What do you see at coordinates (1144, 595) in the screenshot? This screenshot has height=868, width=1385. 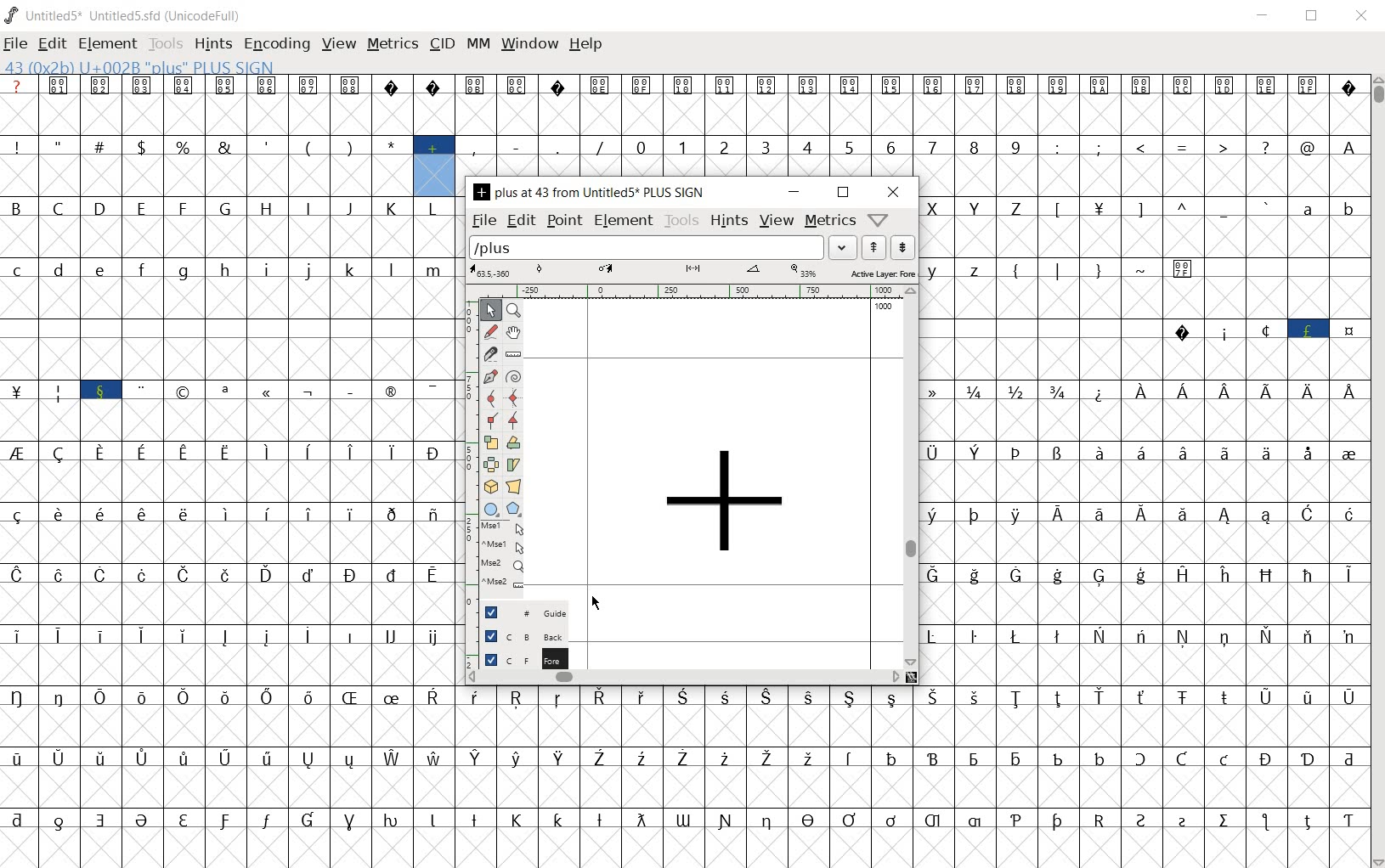 I see `` at bounding box center [1144, 595].